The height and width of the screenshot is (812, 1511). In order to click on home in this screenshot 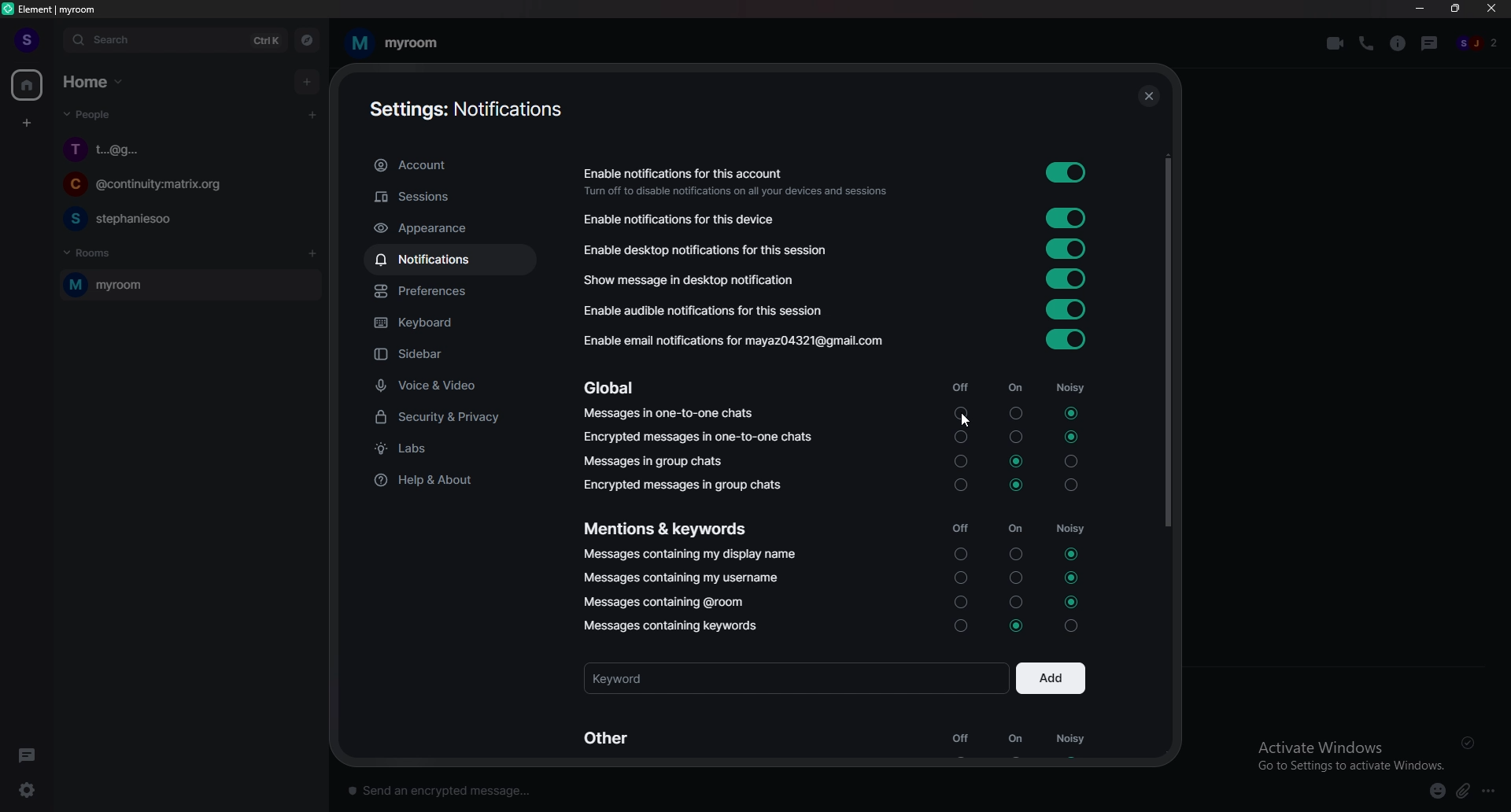, I will do `click(95, 82)`.